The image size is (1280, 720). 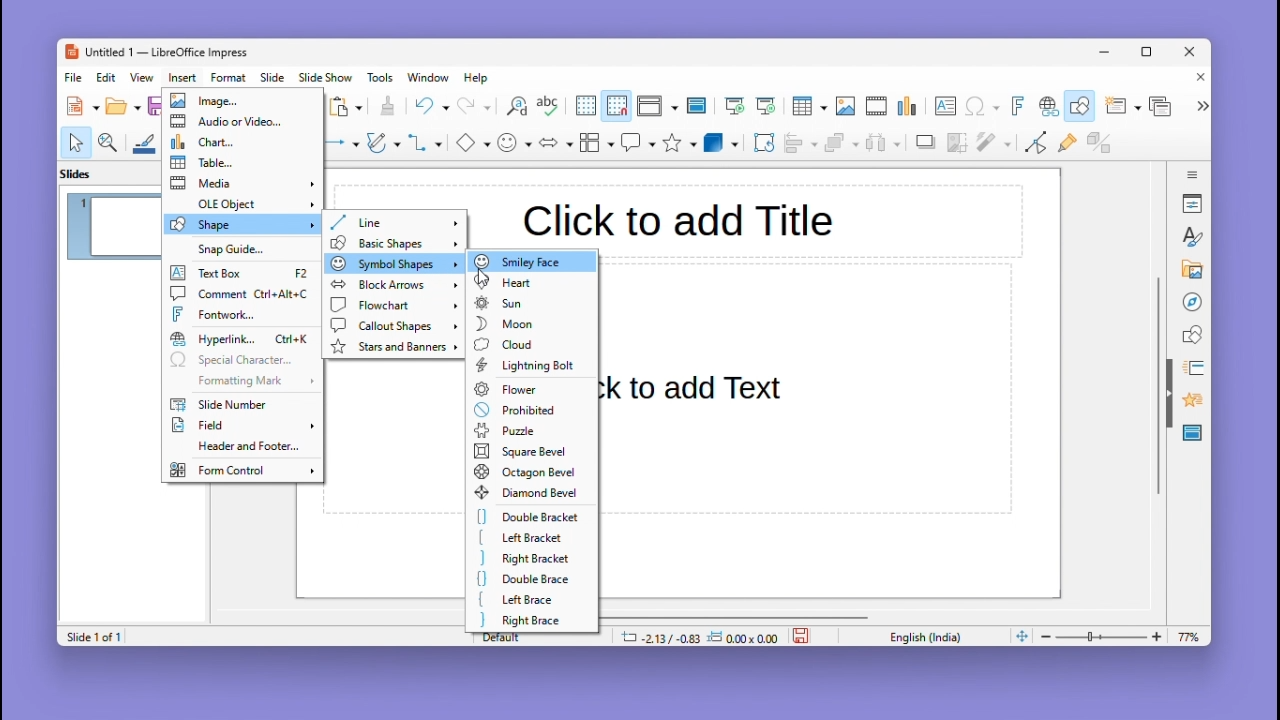 I want to click on Open, so click(x=123, y=107).